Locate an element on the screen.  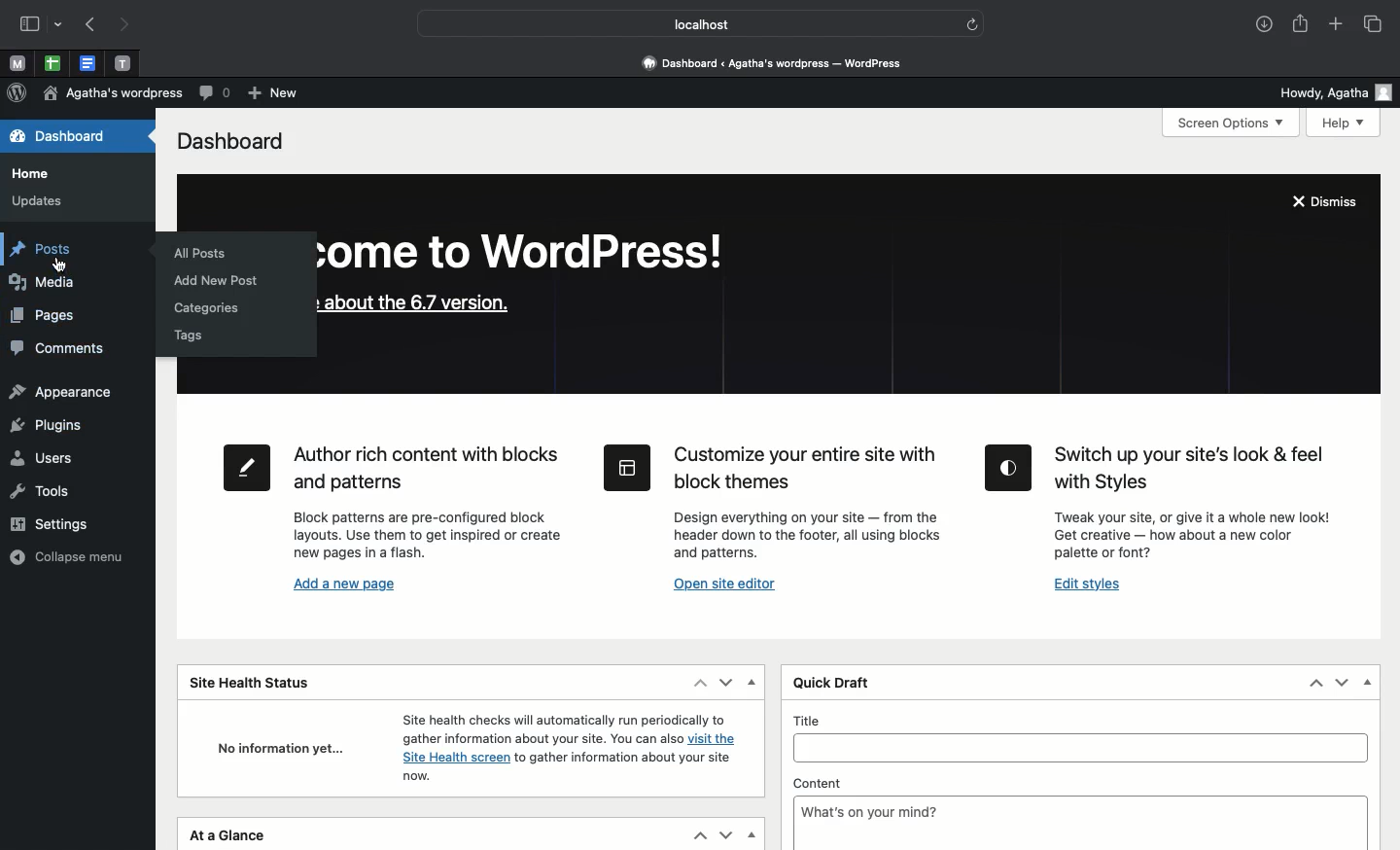
New is located at coordinates (270, 91).